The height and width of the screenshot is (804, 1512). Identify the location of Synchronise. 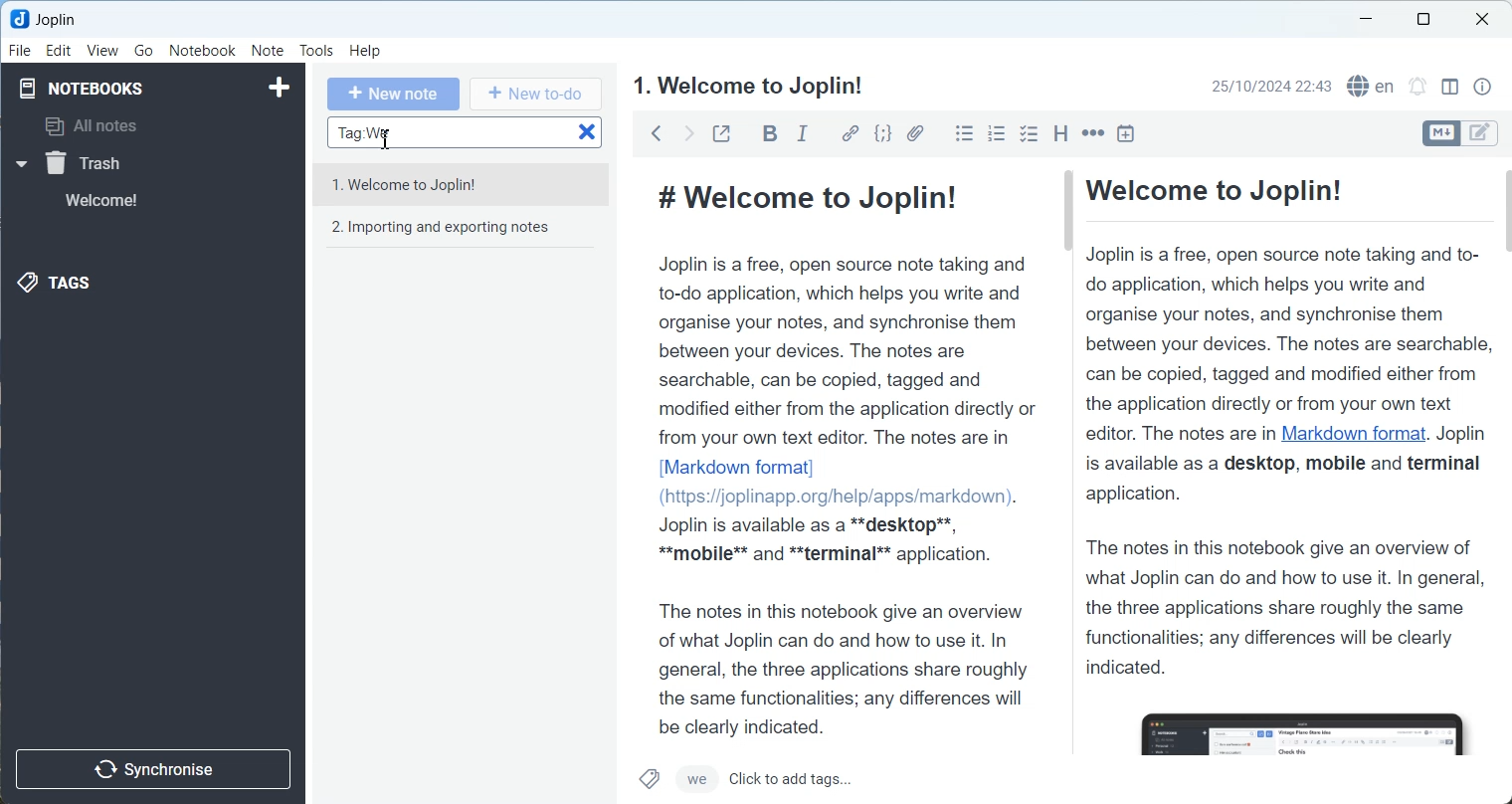
(157, 768).